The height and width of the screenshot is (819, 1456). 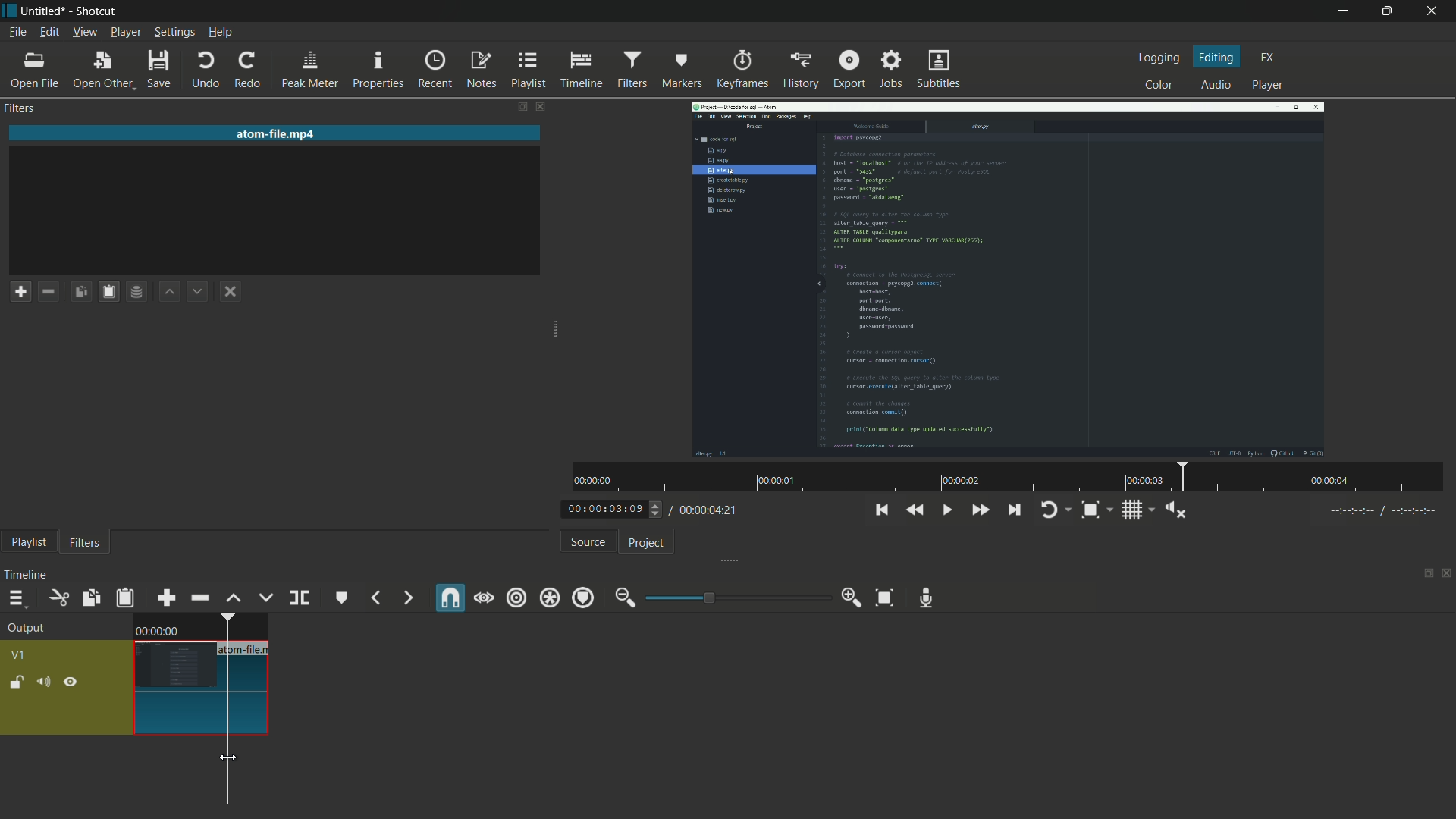 I want to click on move filter down, so click(x=199, y=291).